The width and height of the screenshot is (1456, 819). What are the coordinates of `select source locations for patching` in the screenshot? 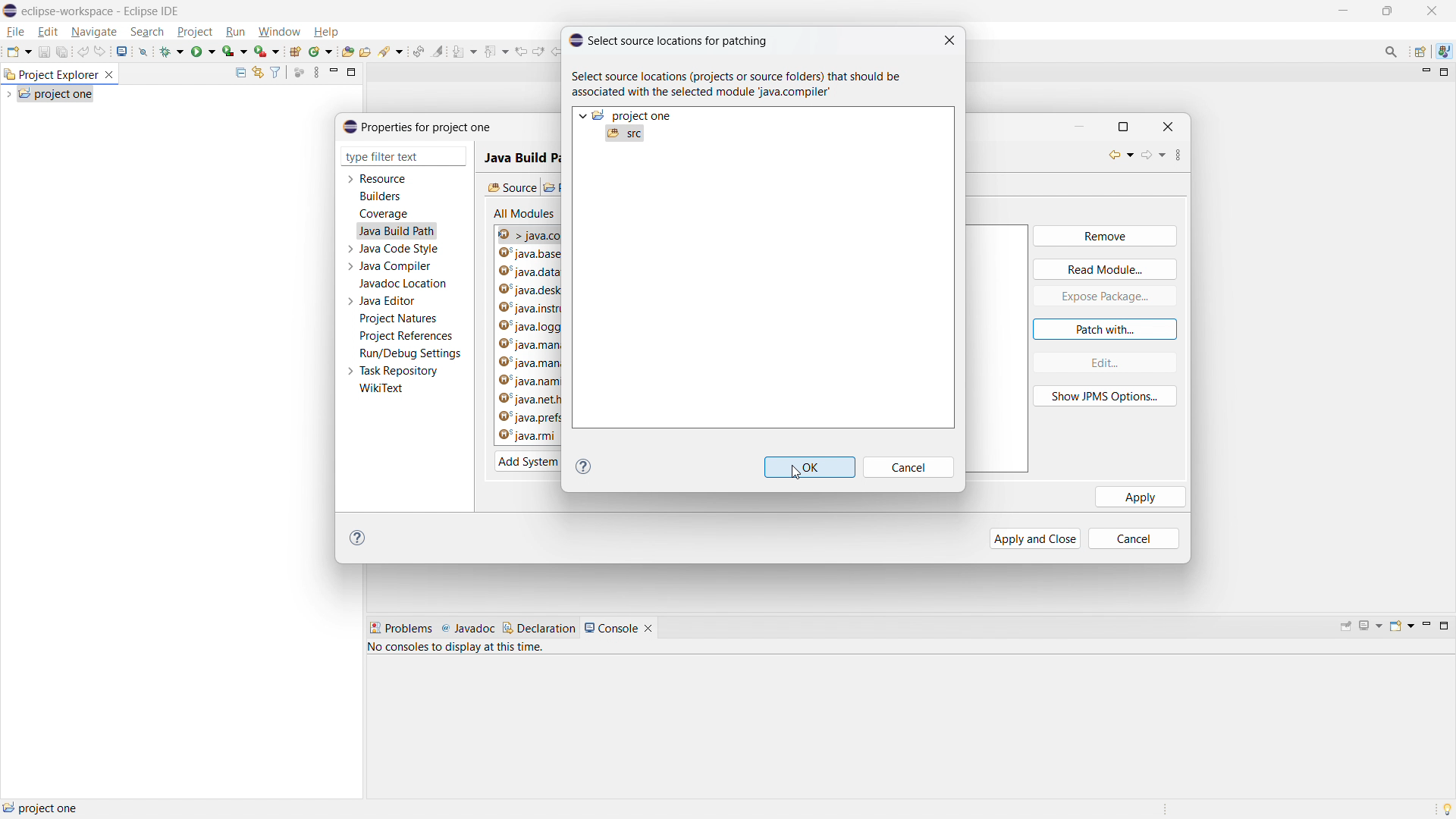 It's located at (668, 39).